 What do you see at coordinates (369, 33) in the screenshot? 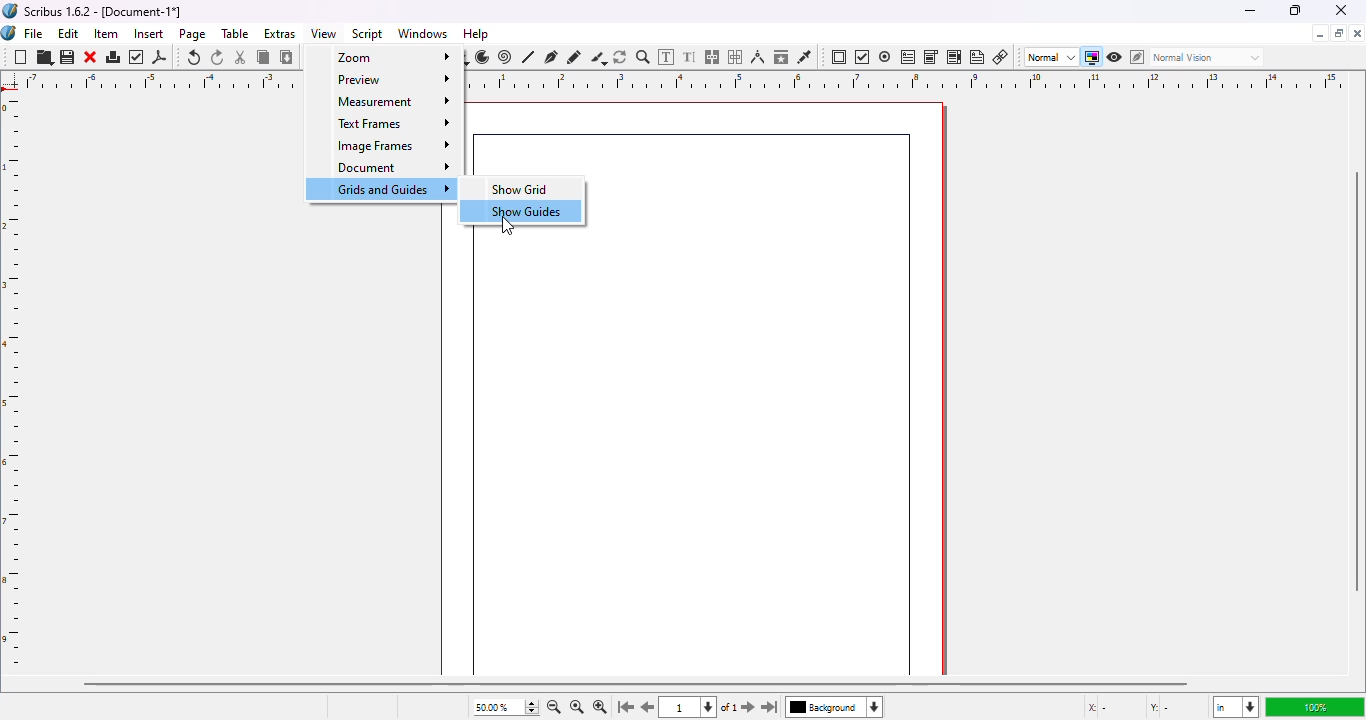
I see `script` at bounding box center [369, 33].